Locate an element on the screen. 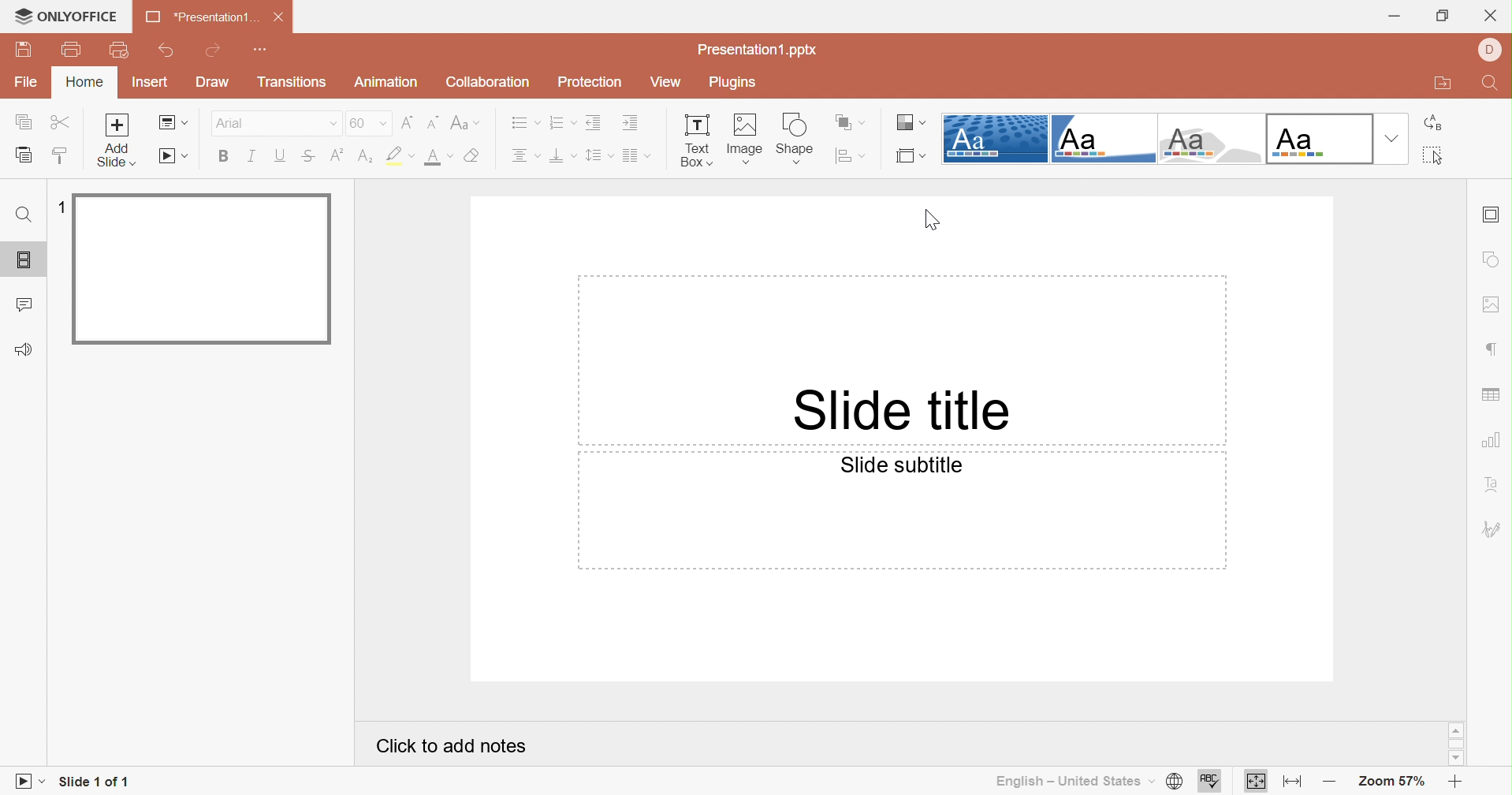 This screenshot has height=795, width=1512. Click to add notes is located at coordinates (448, 747).